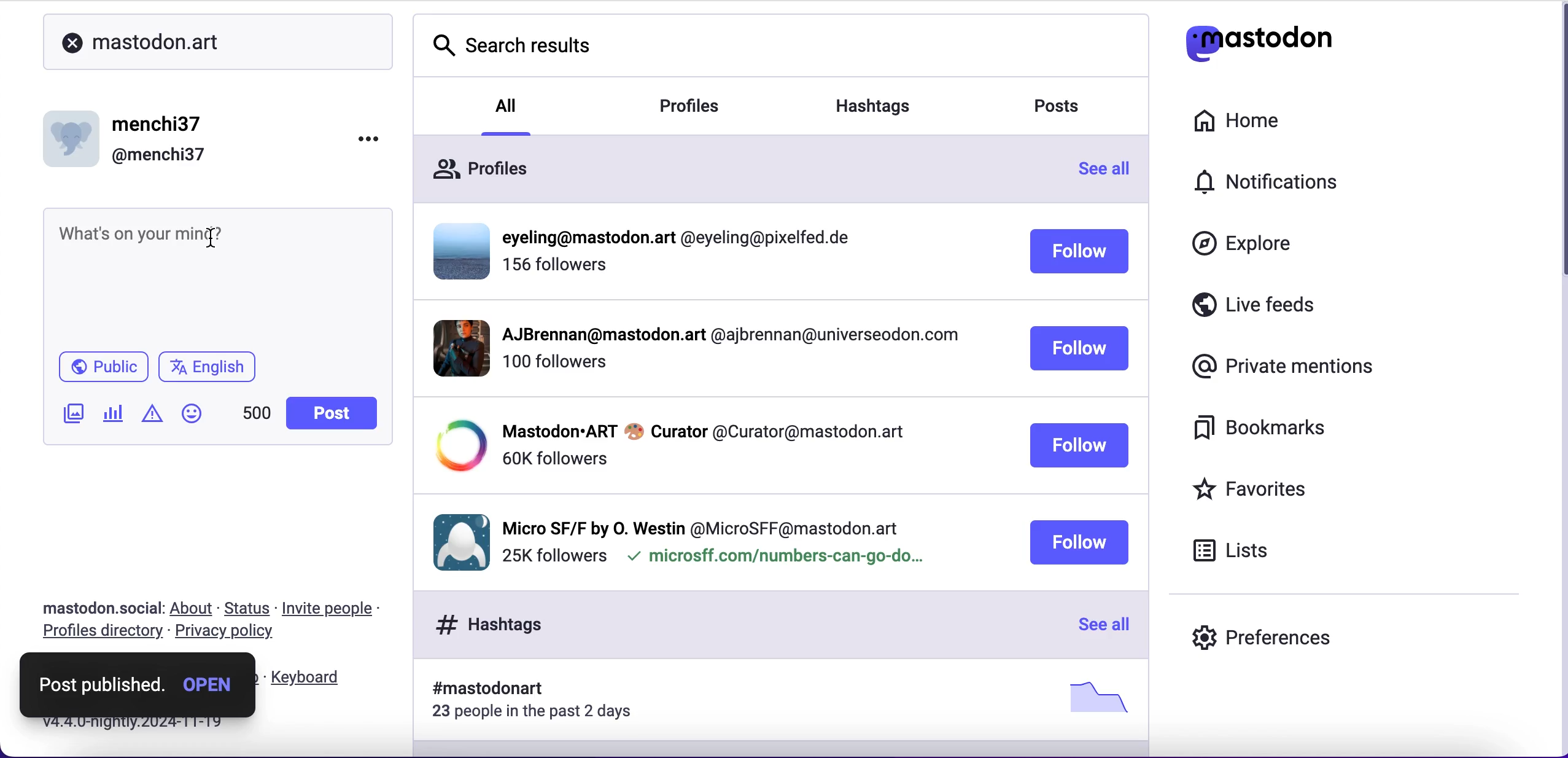 The image size is (1568, 758). I want to click on profiles directory, so click(98, 633).